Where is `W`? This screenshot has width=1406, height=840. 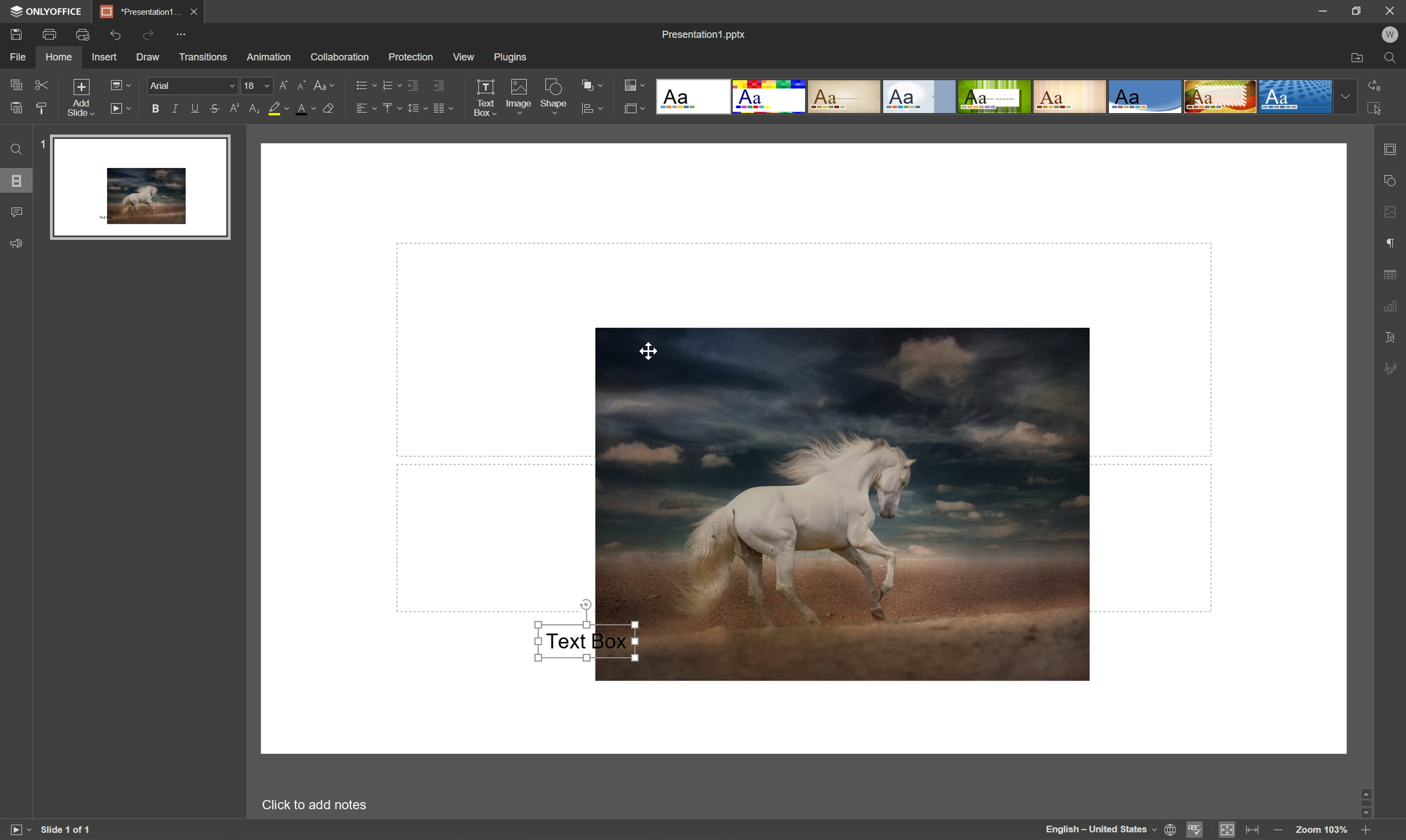
W is located at coordinates (1390, 36).